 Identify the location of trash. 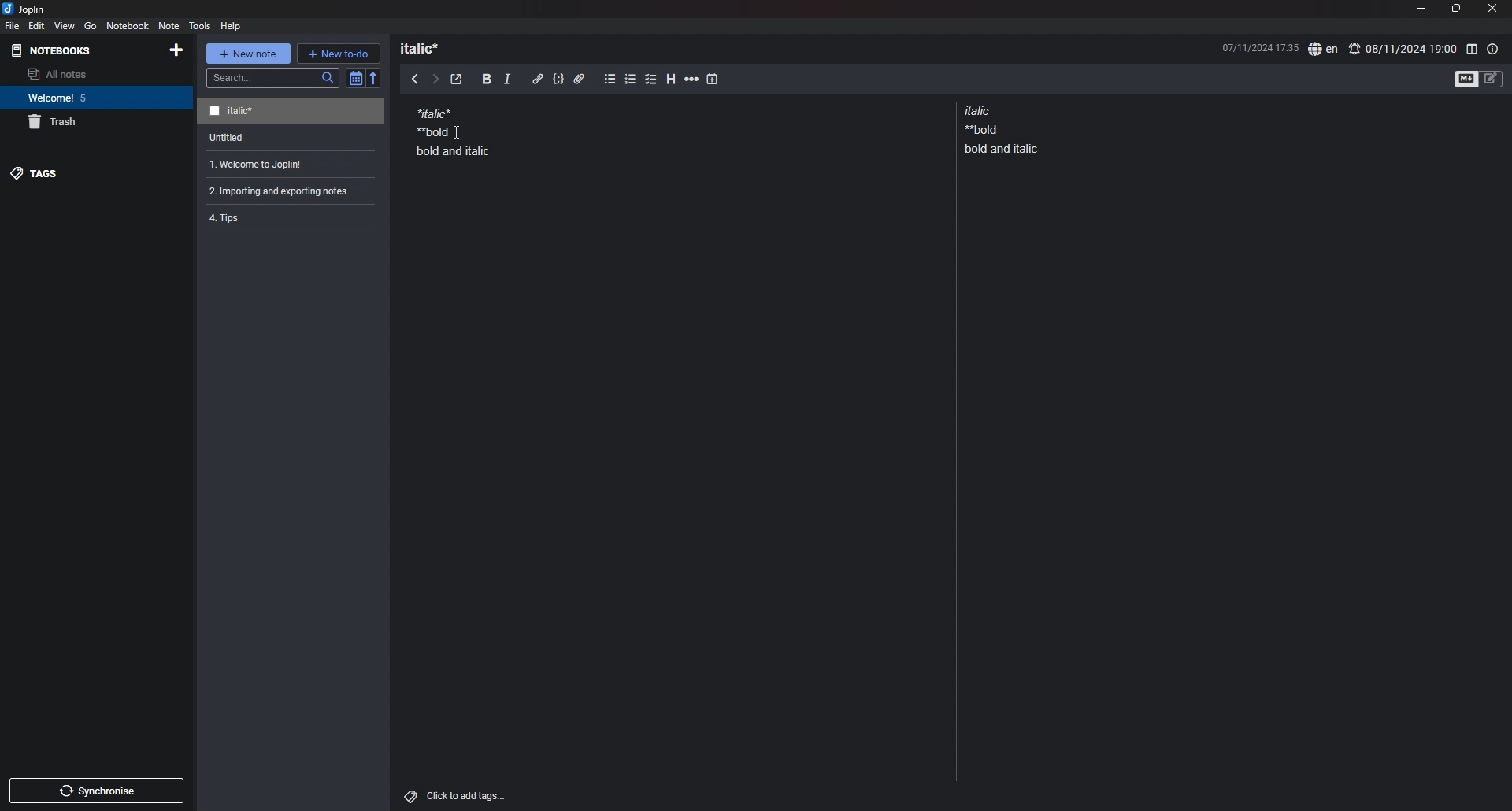
(97, 122).